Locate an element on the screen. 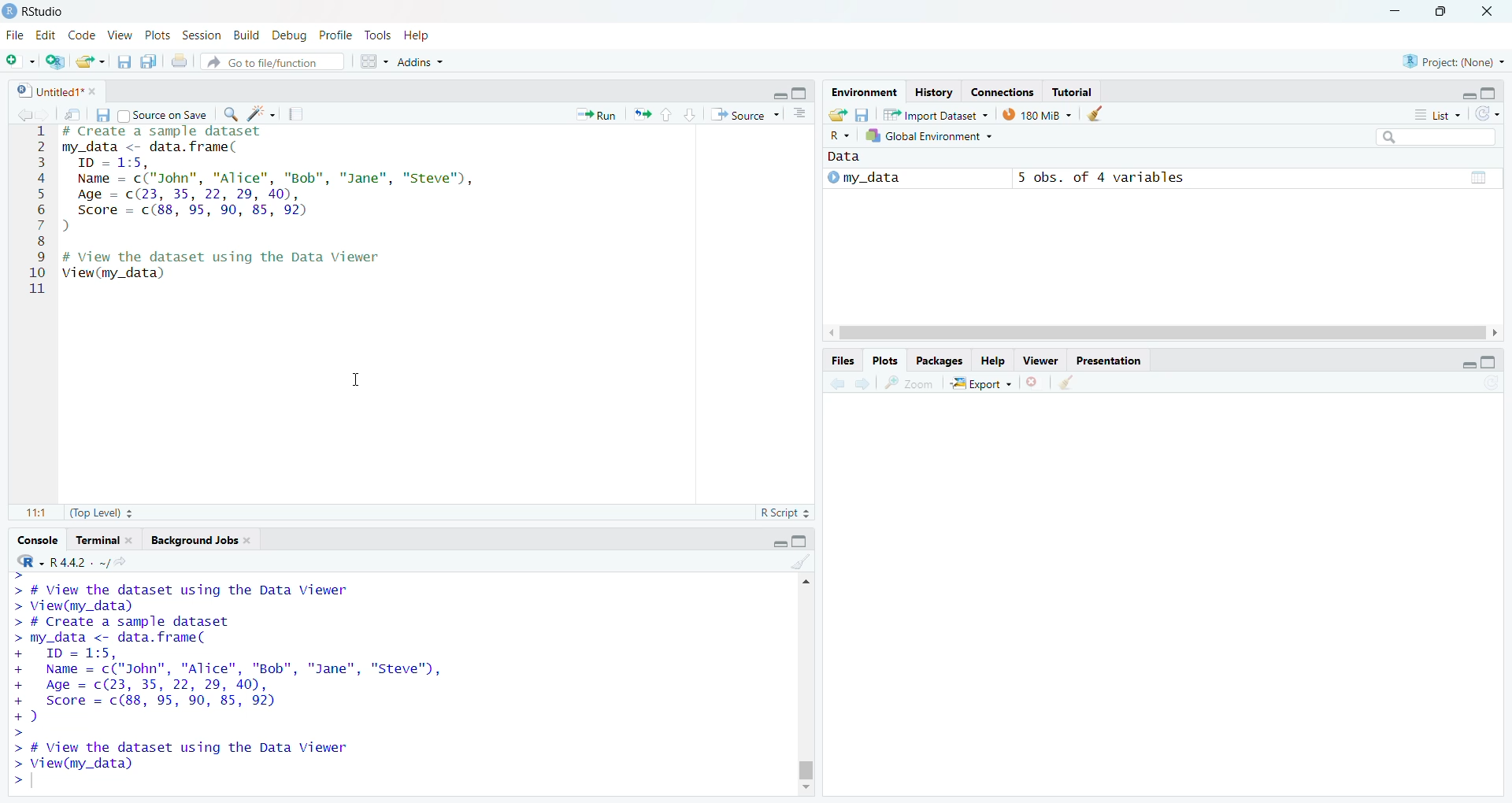  Forward is located at coordinates (46, 115).